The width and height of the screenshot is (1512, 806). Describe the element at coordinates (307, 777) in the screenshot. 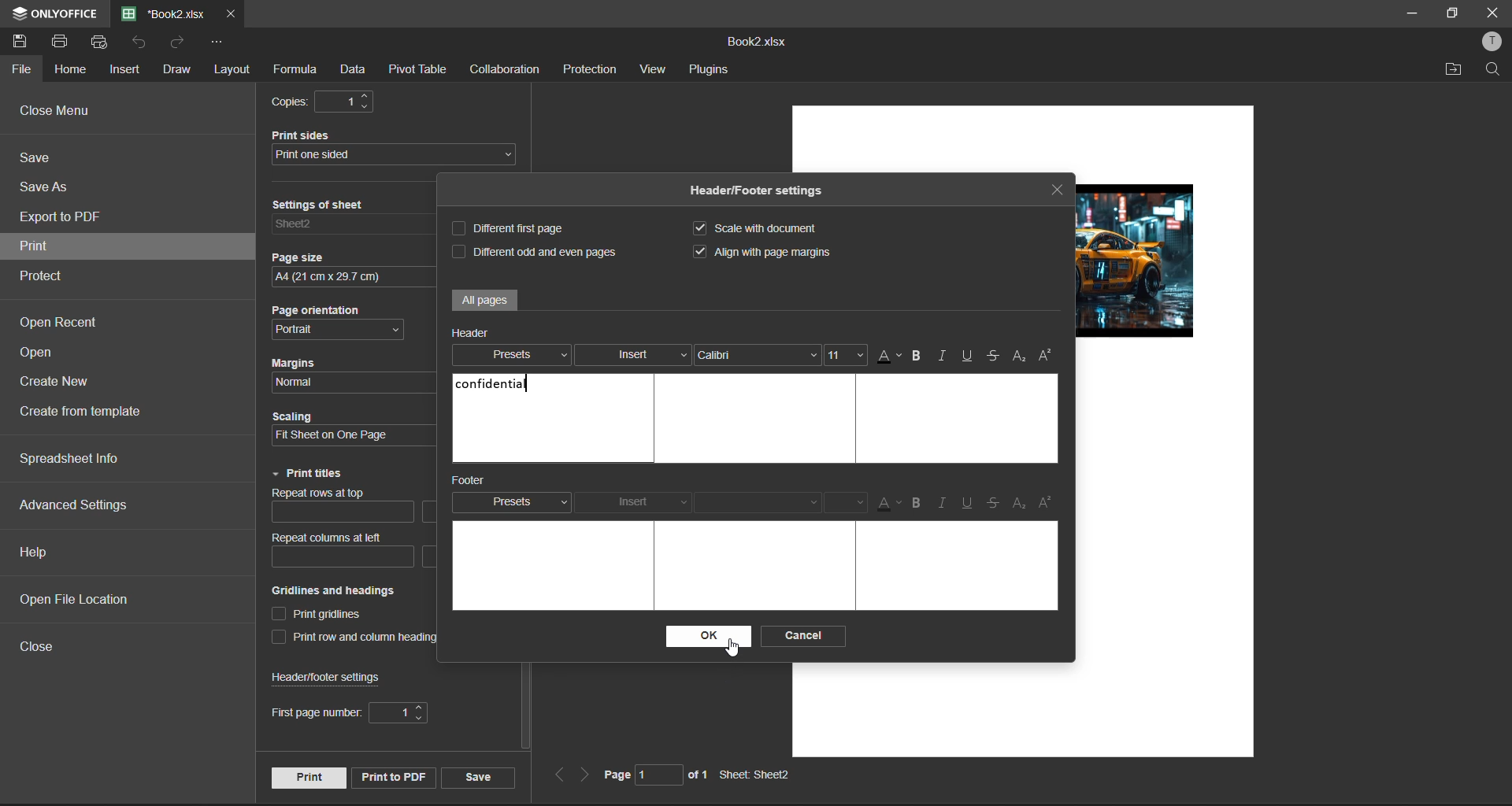

I see `print` at that location.